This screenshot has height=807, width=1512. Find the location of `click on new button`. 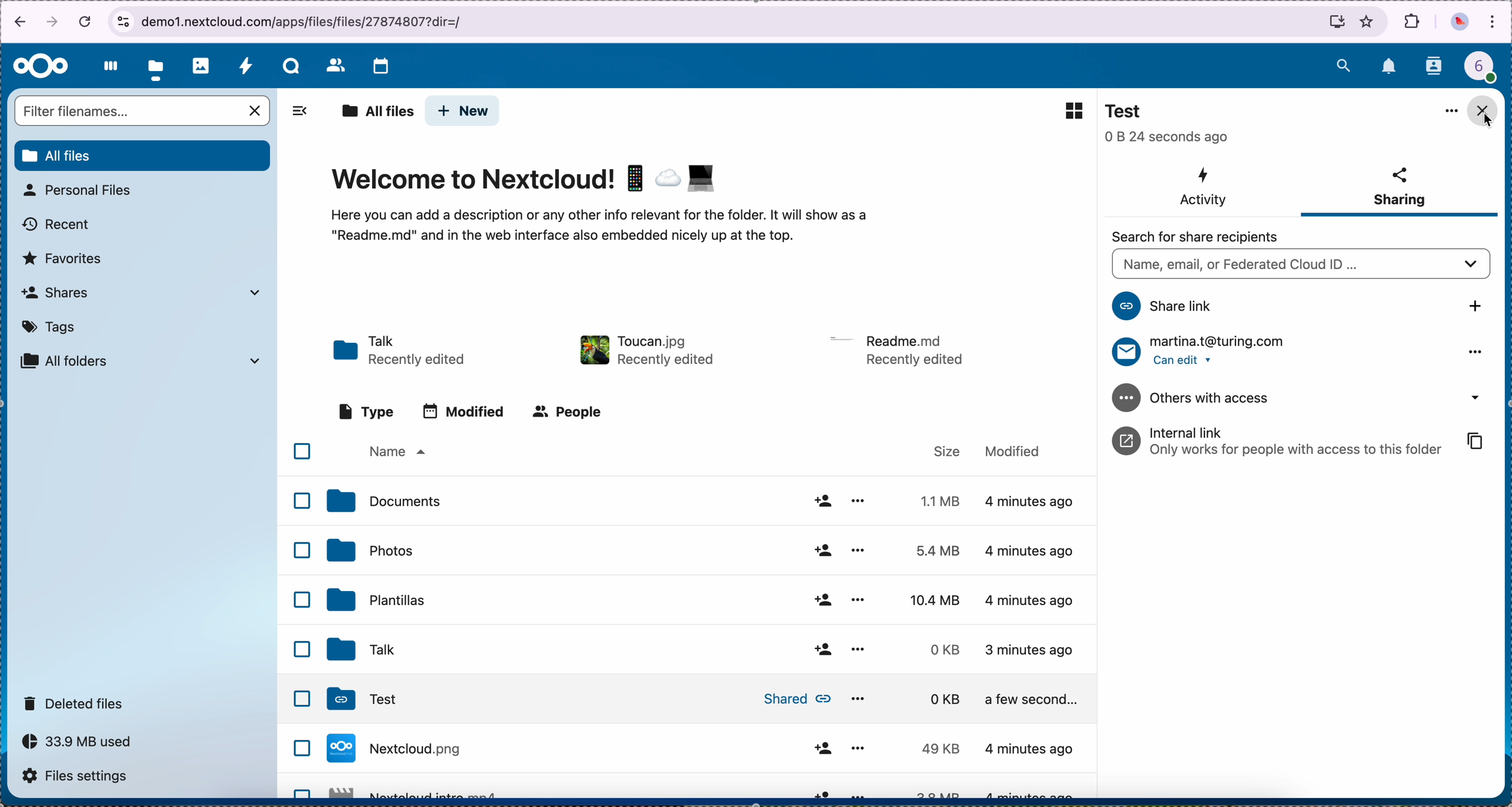

click on new button is located at coordinates (463, 112).